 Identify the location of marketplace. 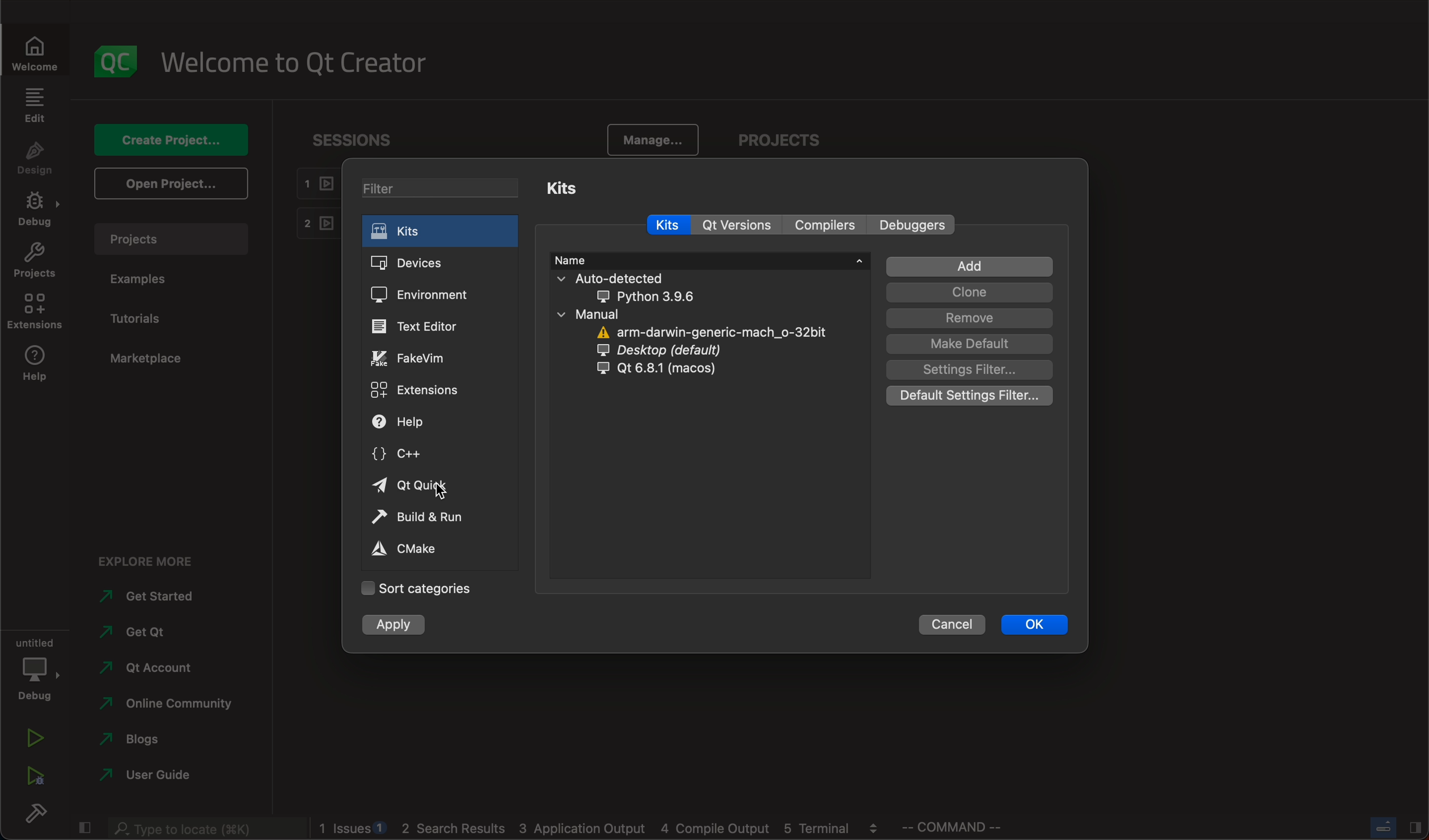
(166, 358).